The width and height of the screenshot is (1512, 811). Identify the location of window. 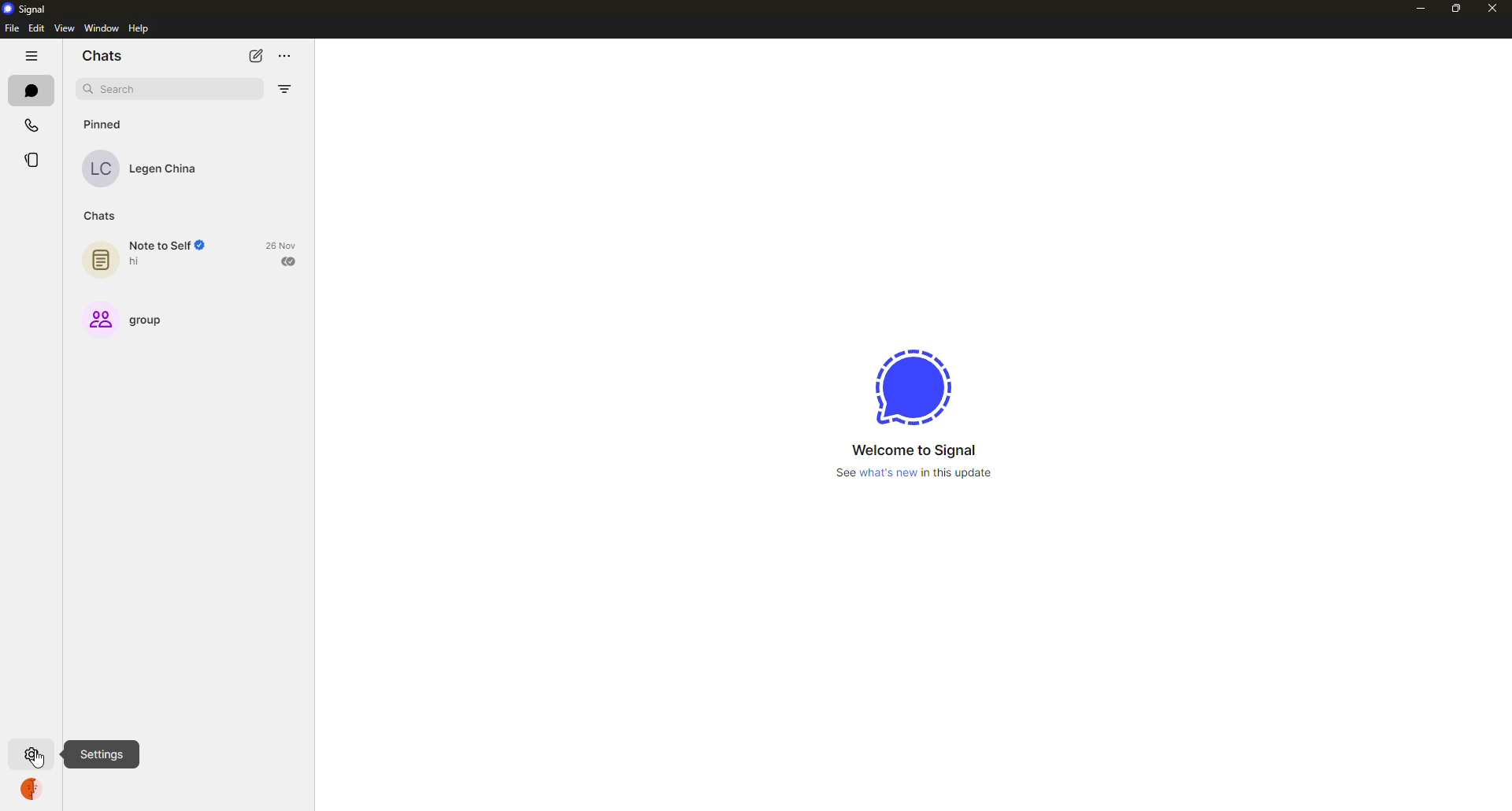
(101, 29).